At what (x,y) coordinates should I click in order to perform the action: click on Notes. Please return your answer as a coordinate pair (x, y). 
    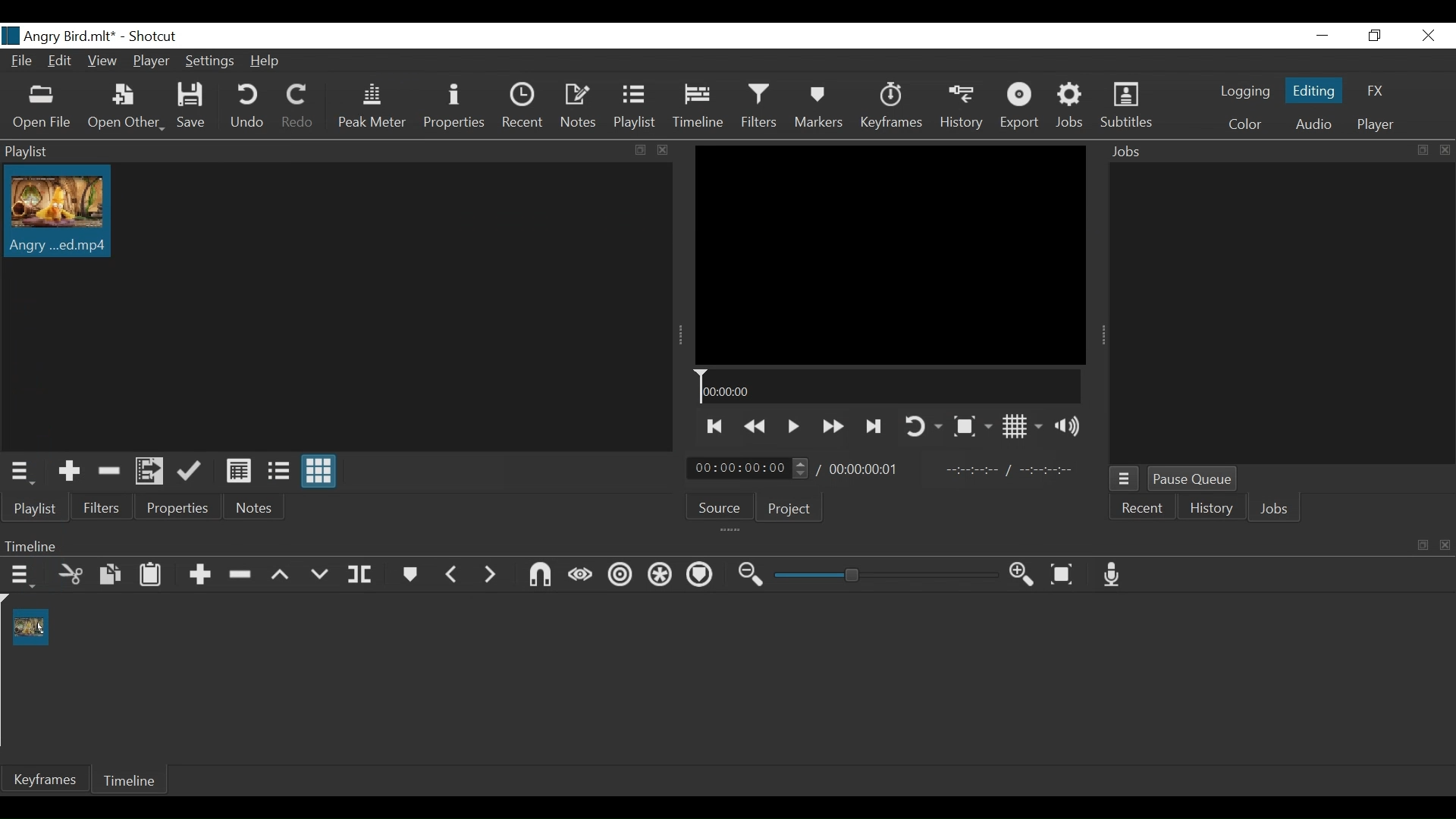
    Looking at the image, I should click on (579, 107).